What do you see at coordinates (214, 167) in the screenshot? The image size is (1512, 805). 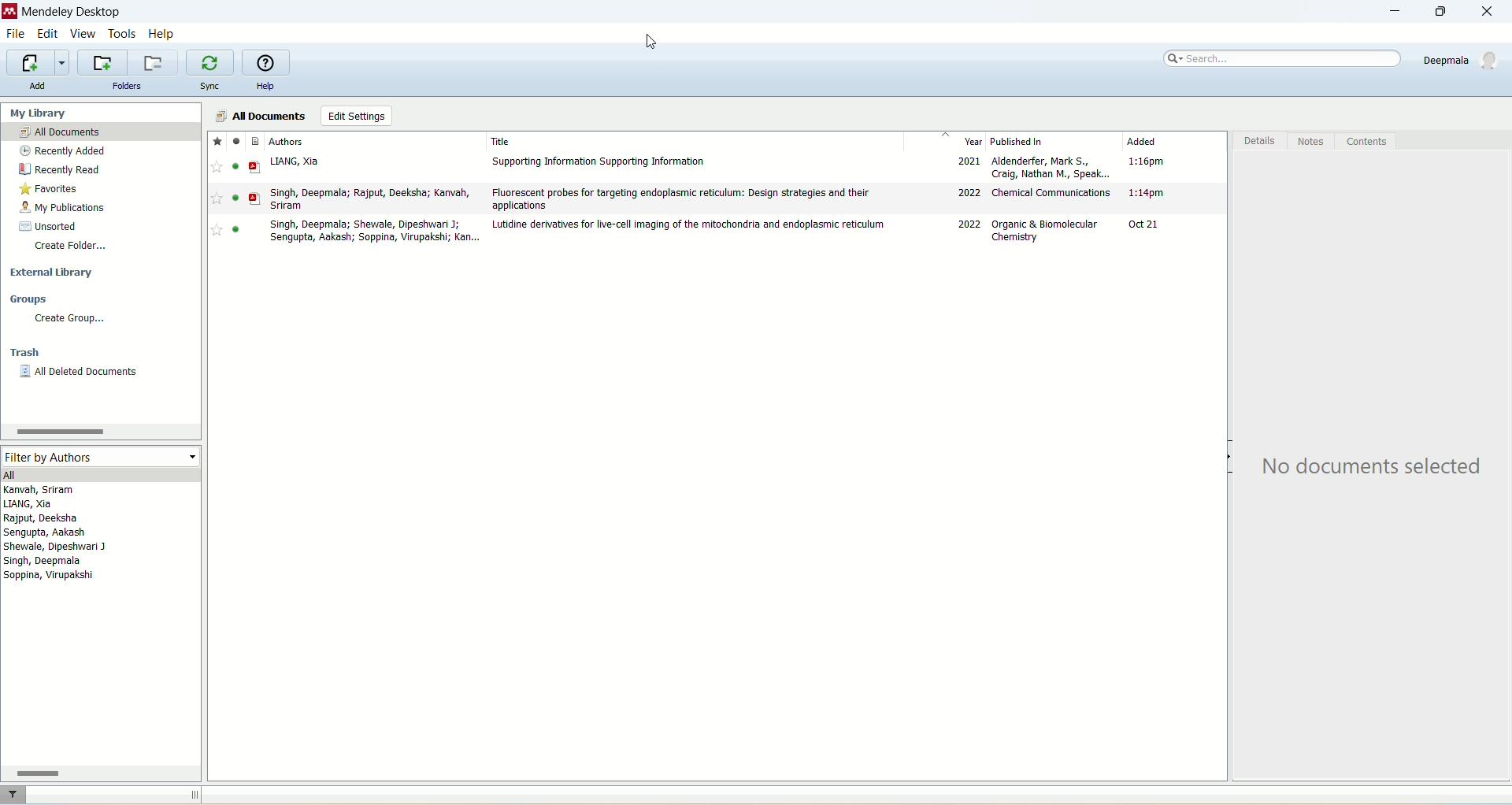 I see `favourite` at bounding box center [214, 167].